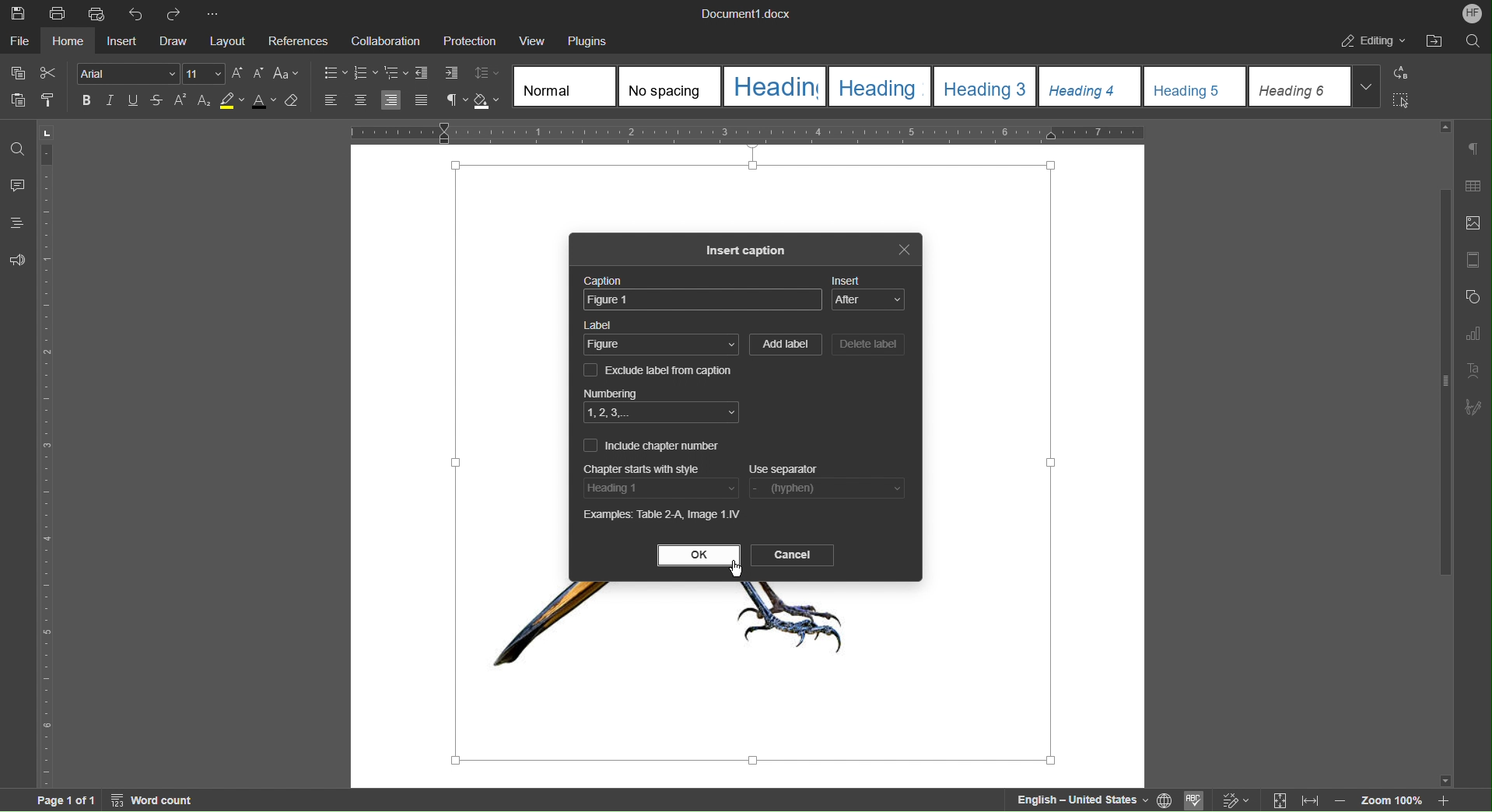 This screenshot has height=812, width=1492. Describe the element at coordinates (751, 130) in the screenshot. I see `Horizontal Ruler` at that location.